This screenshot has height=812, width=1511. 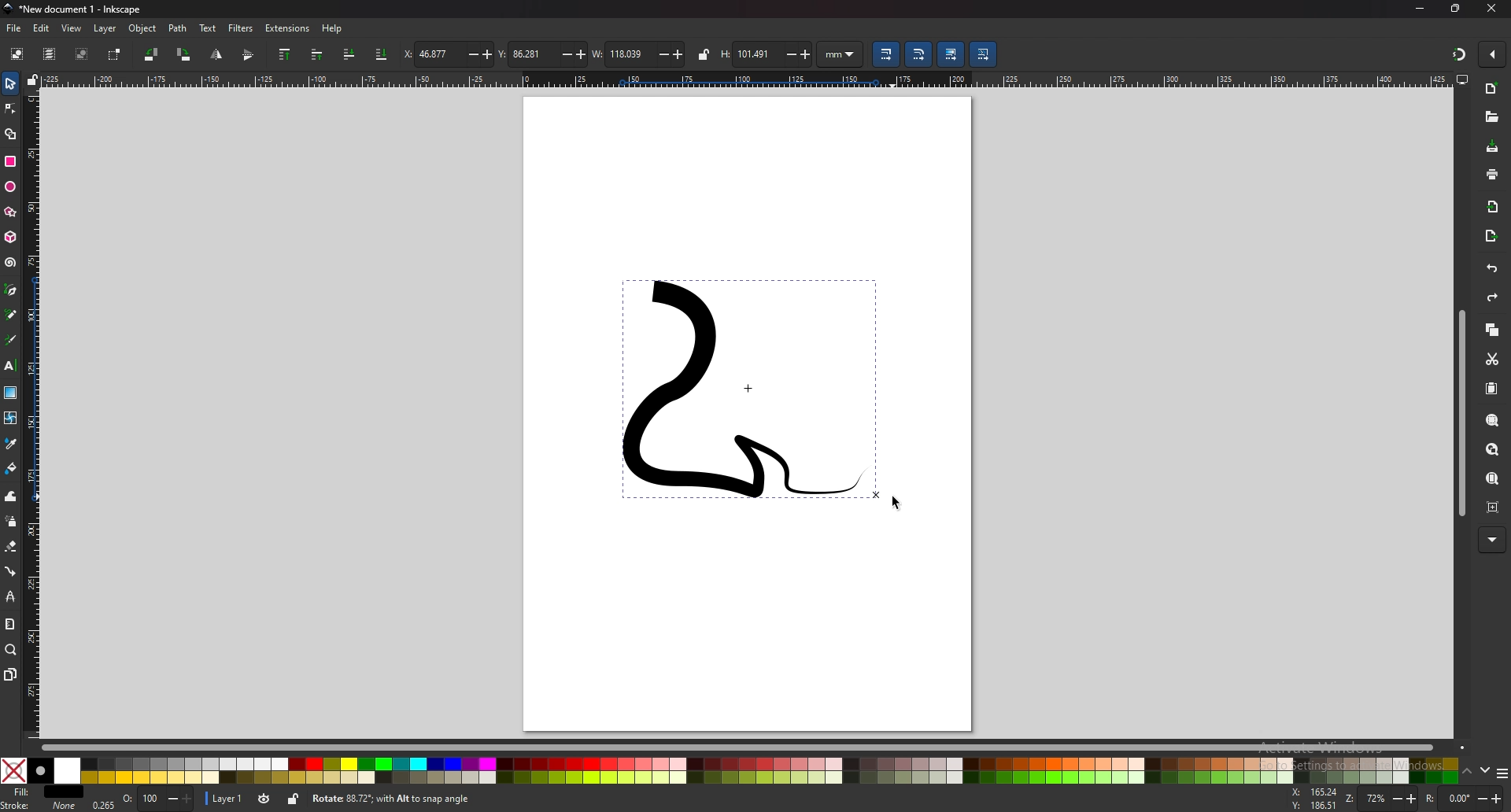 What do you see at coordinates (265, 799) in the screenshot?
I see `toggle visibility` at bounding box center [265, 799].